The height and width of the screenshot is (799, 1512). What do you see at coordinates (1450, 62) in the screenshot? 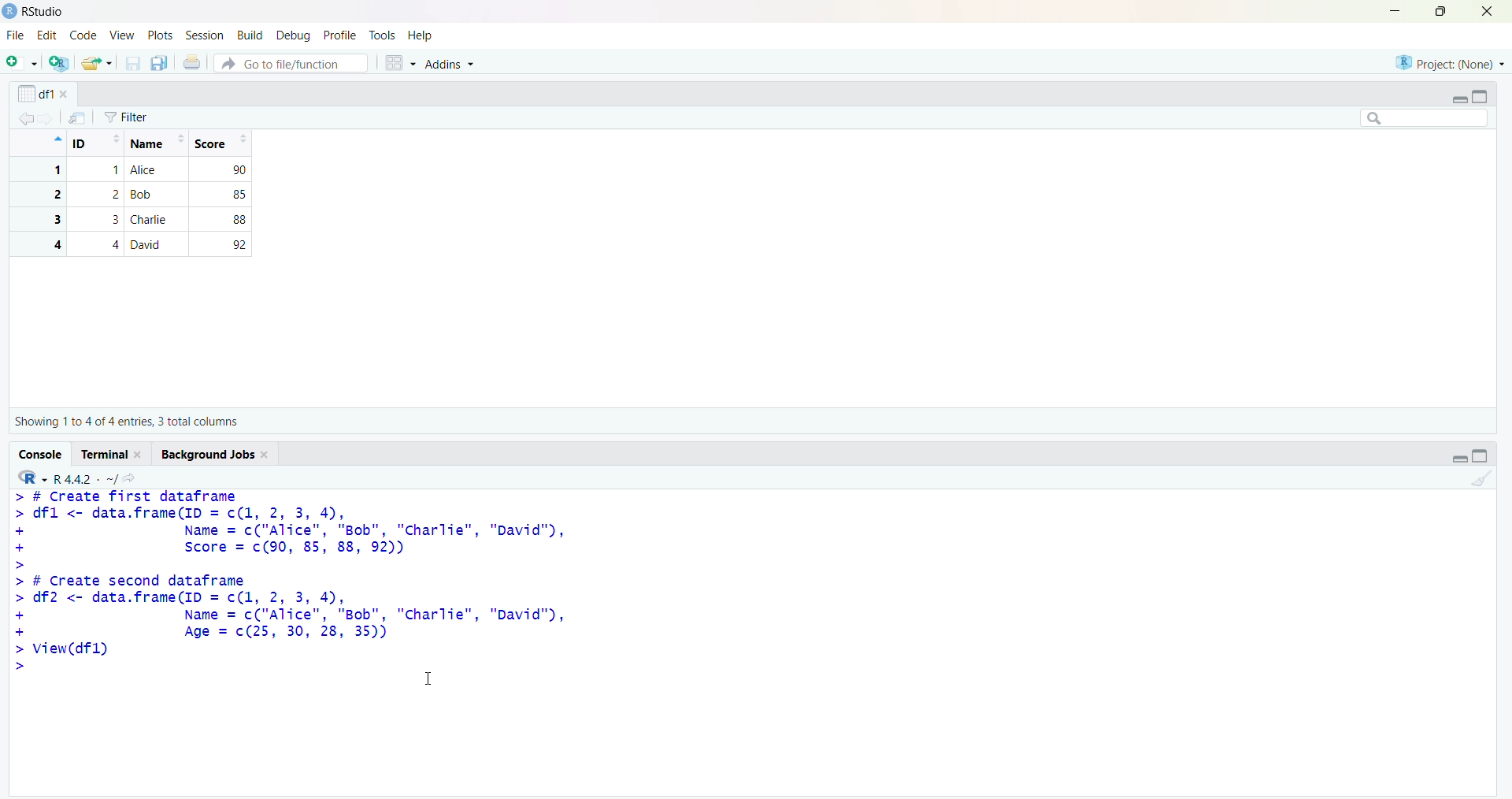
I see `project (none)` at bounding box center [1450, 62].